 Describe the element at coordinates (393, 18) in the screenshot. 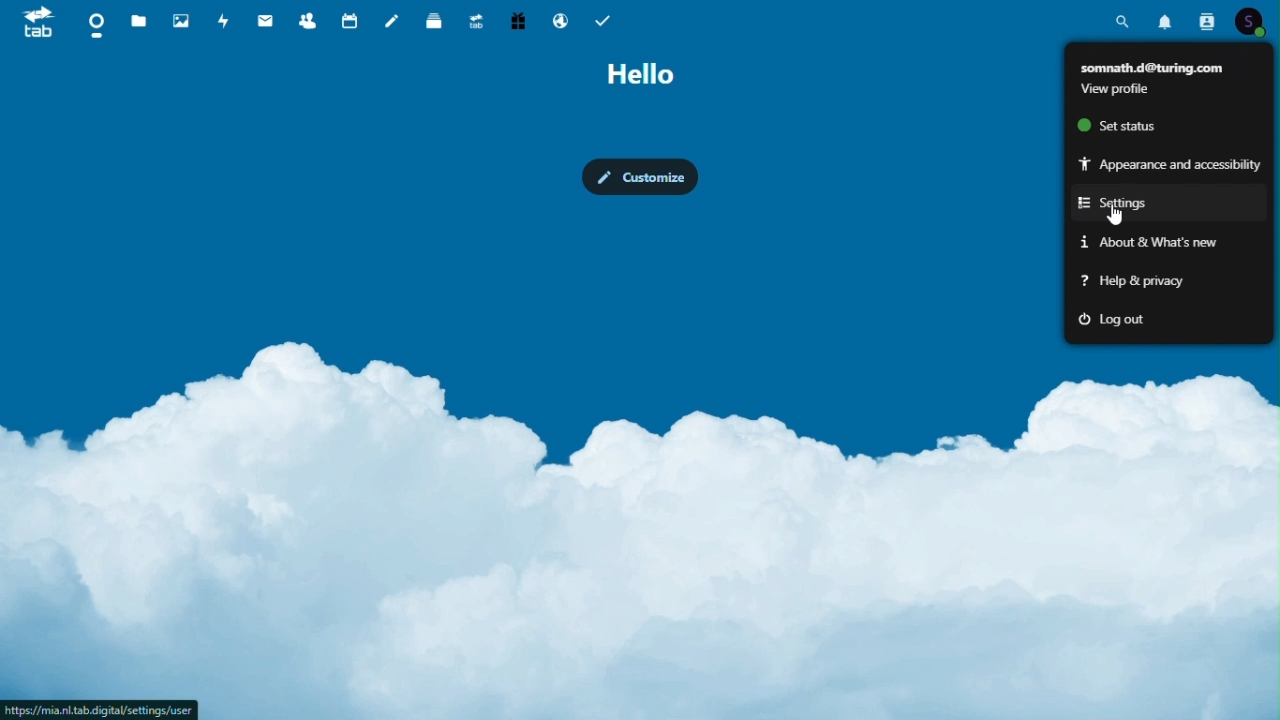

I see `Notes` at that location.